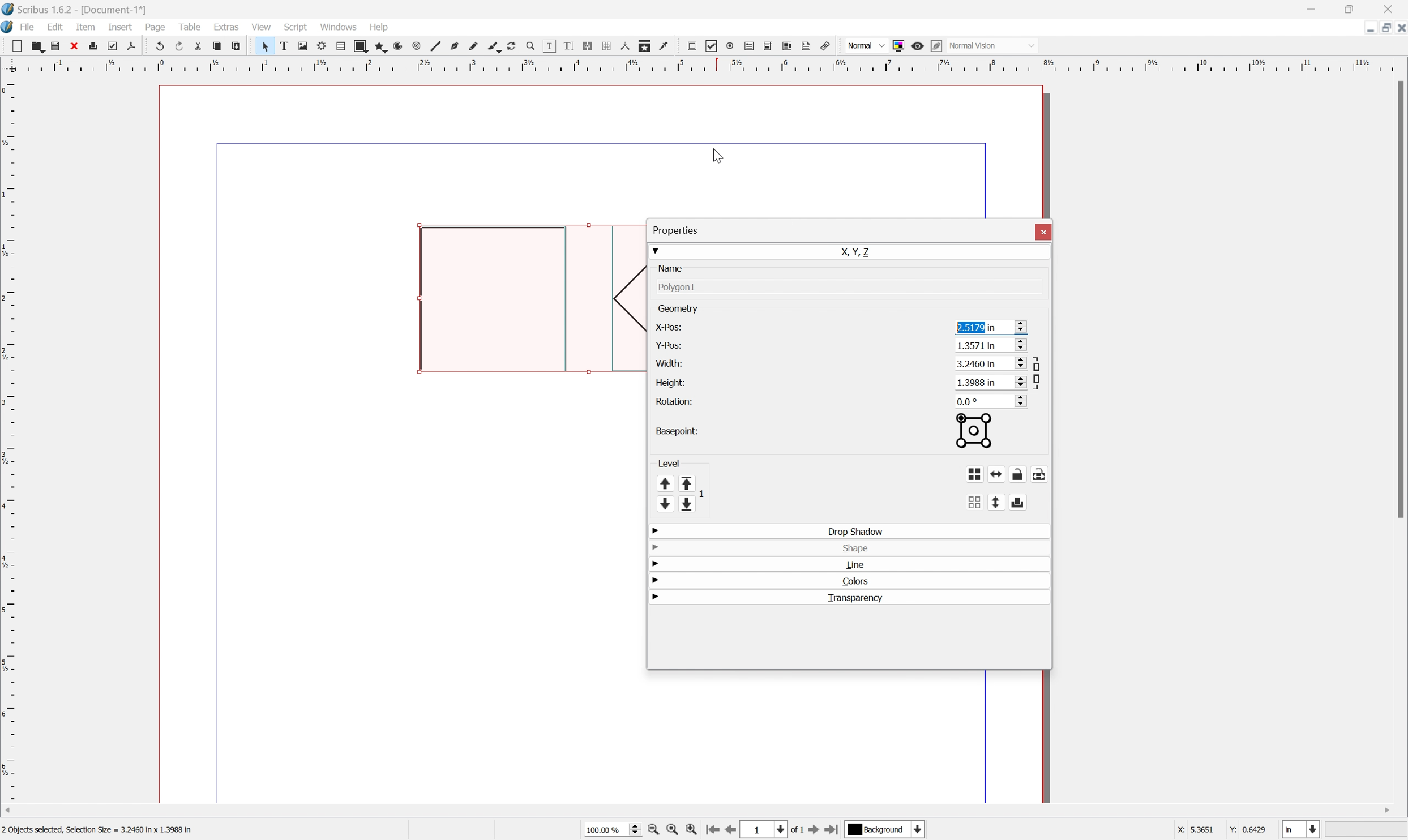 The image size is (1408, 840). What do you see at coordinates (226, 27) in the screenshot?
I see `extras` at bounding box center [226, 27].